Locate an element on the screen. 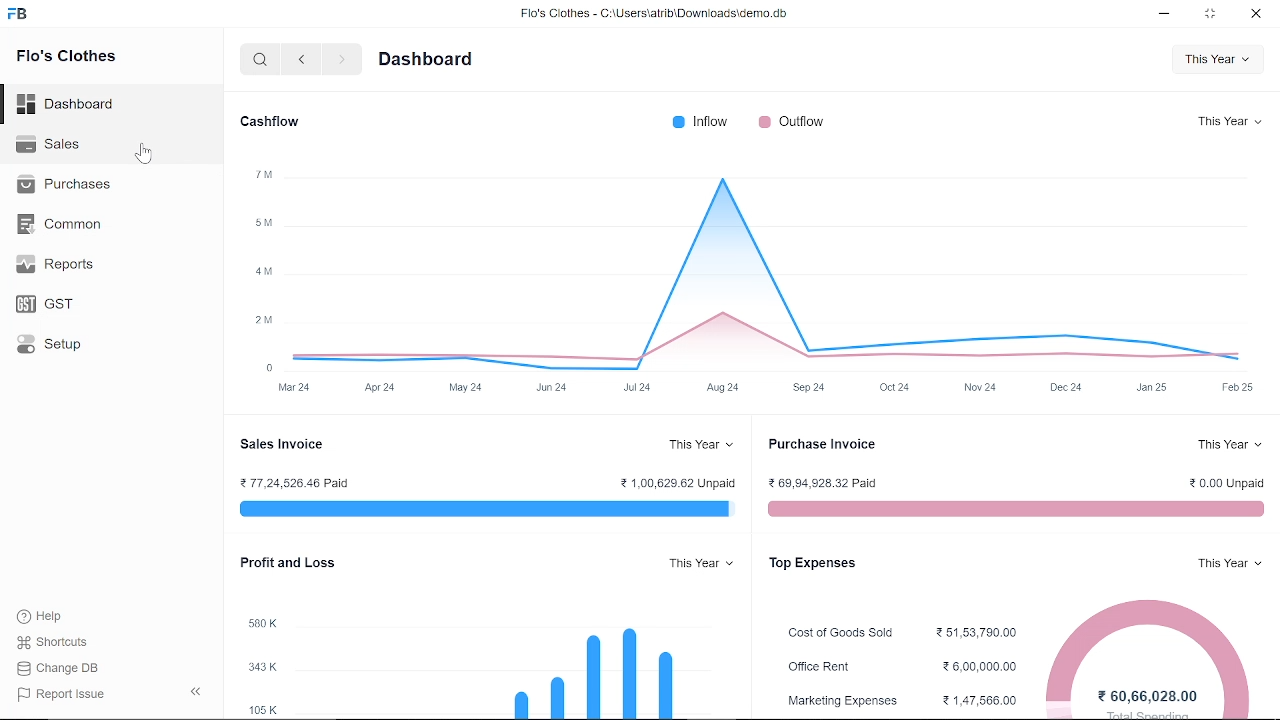 The height and width of the screenshot is (720, 1280). search is located at coordinates (256, 59).